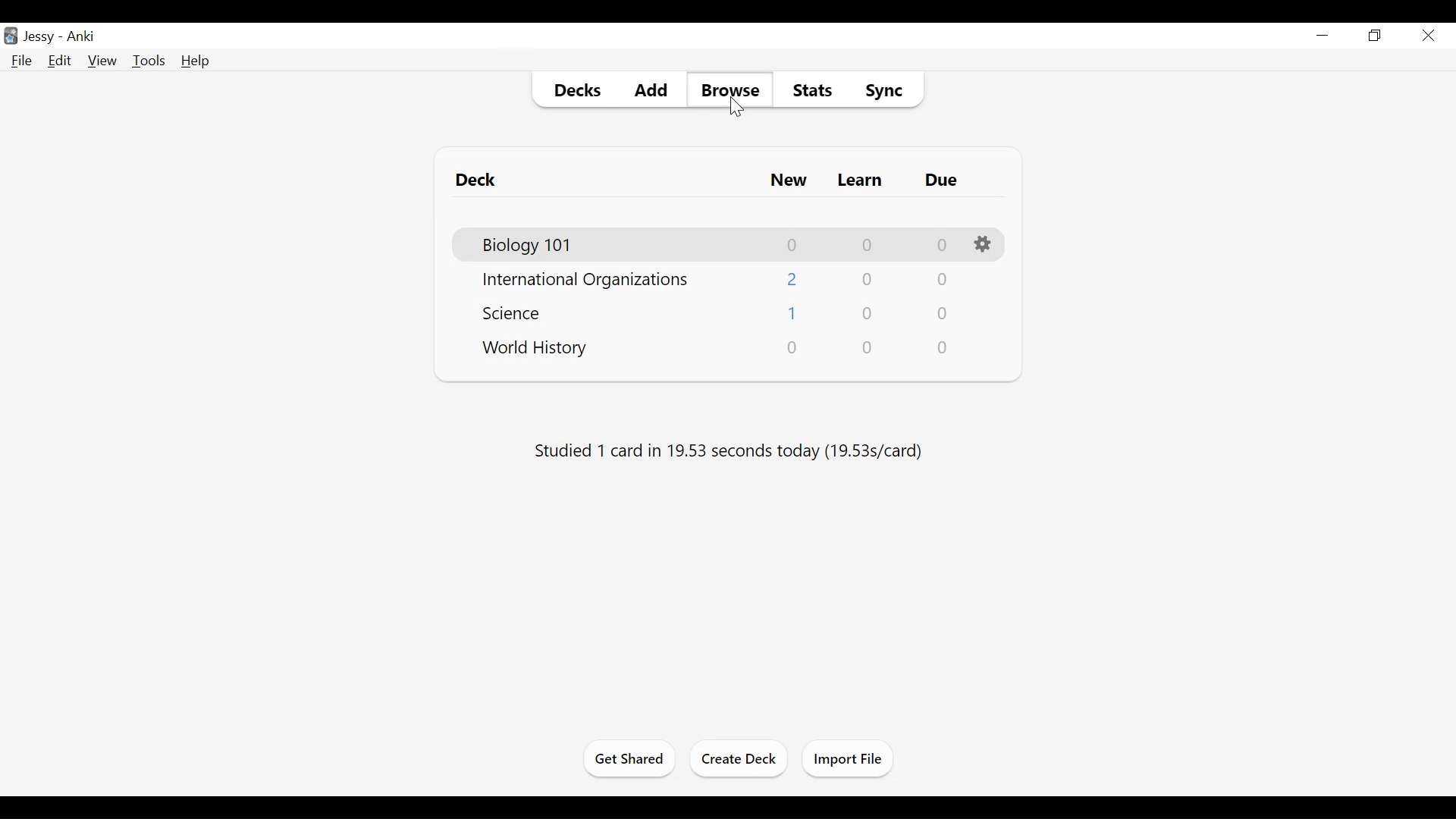  What do you see at coordinates (790, 313) in the screenshot?
I see `New Card Count` at bounding box center [790, 313].